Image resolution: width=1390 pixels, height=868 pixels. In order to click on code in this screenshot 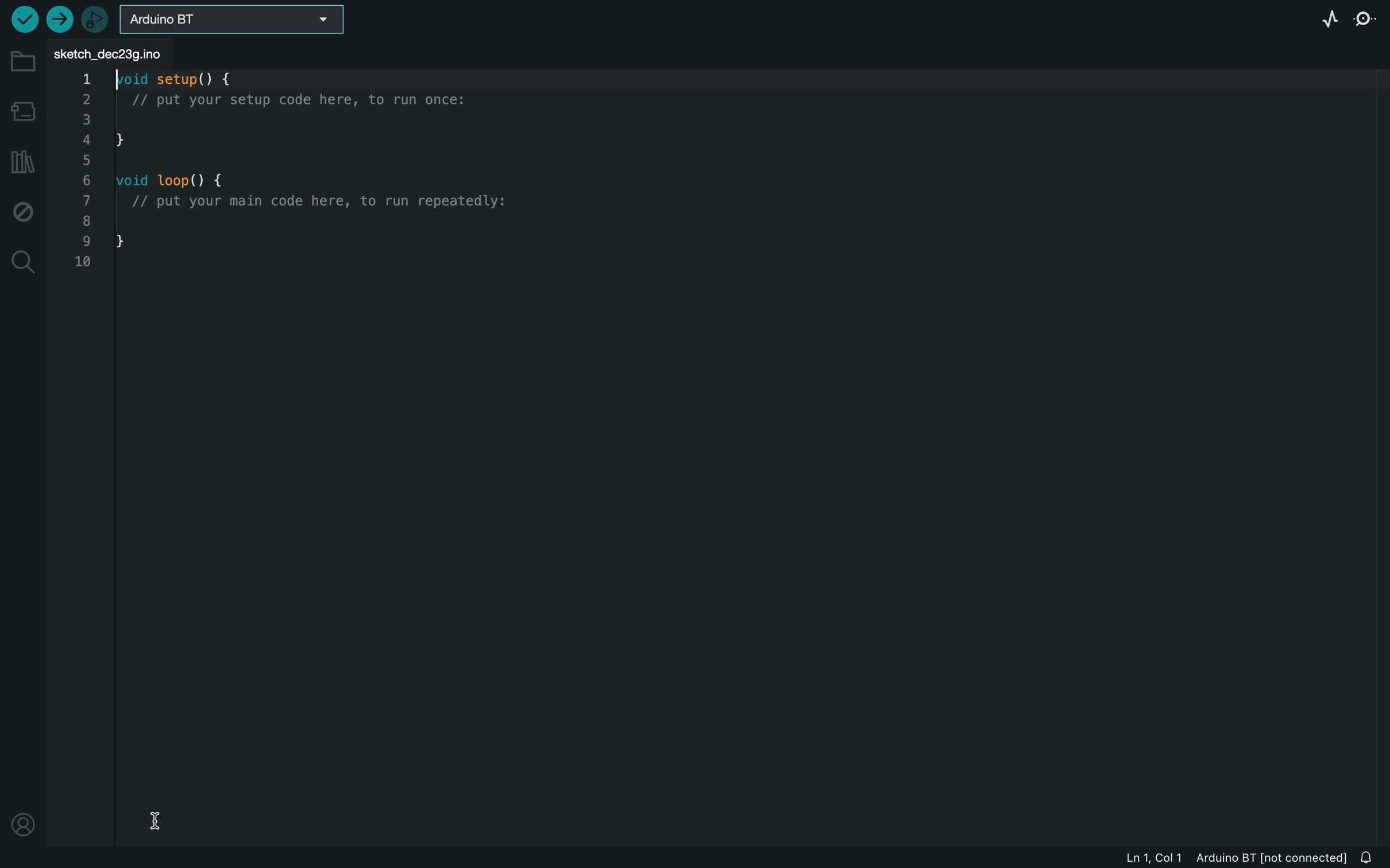, I will do `click(298, 175)`.